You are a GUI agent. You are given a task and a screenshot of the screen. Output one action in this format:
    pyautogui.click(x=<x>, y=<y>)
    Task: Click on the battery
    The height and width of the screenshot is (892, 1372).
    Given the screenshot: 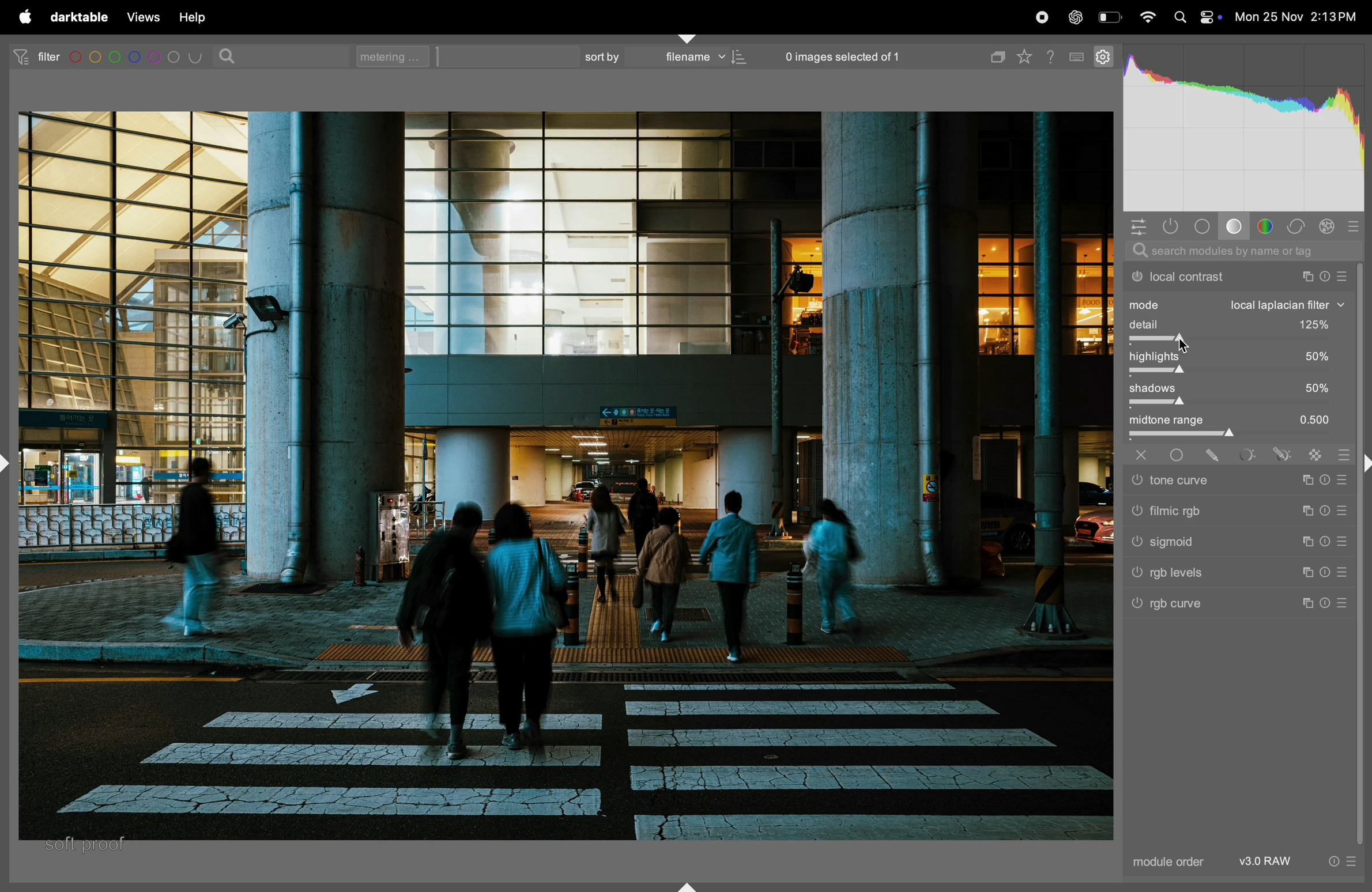 What is the action you would take?
    pyautogui.click(x=1110, y=16)
    